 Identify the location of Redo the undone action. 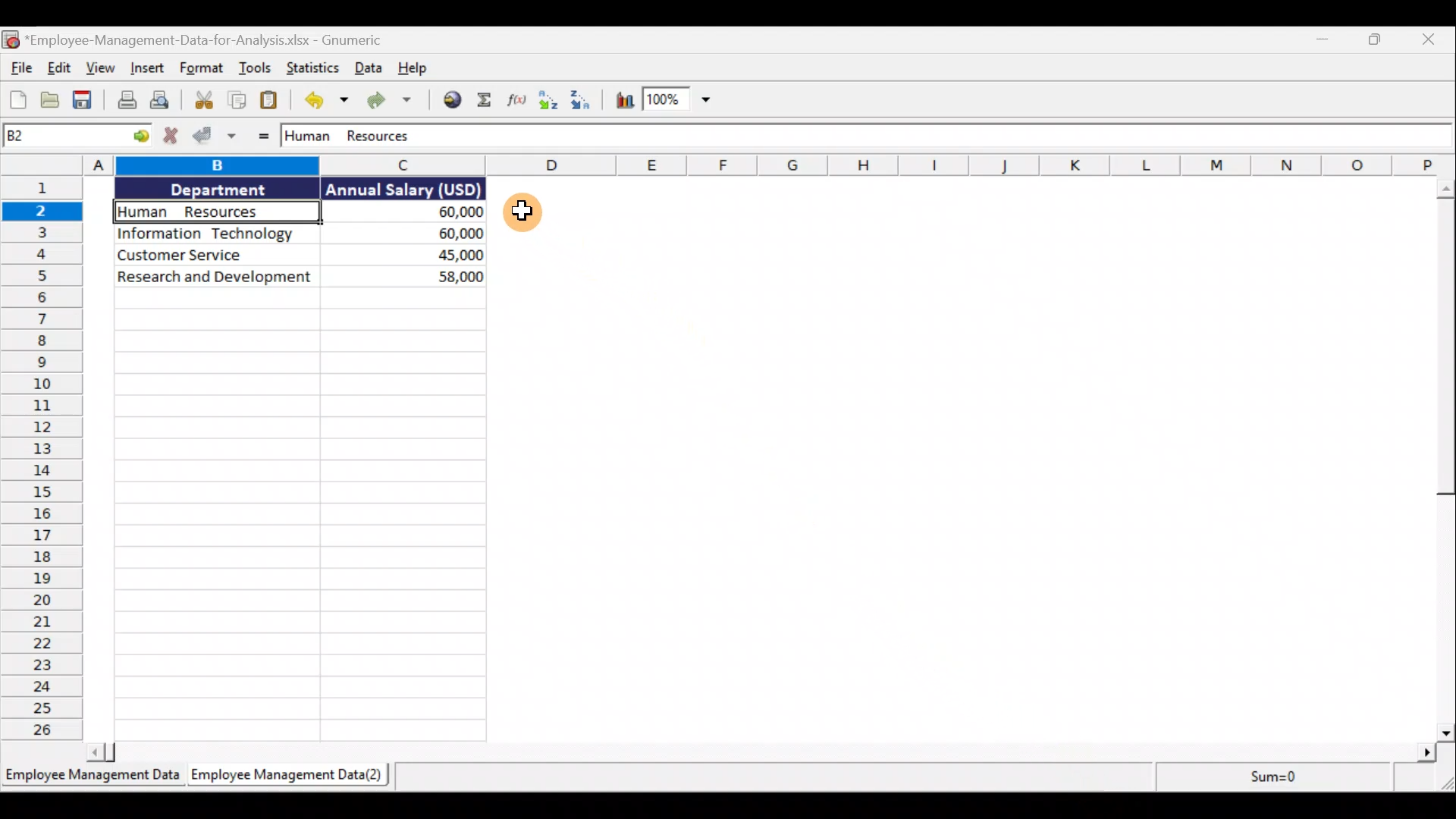
(395, 102).